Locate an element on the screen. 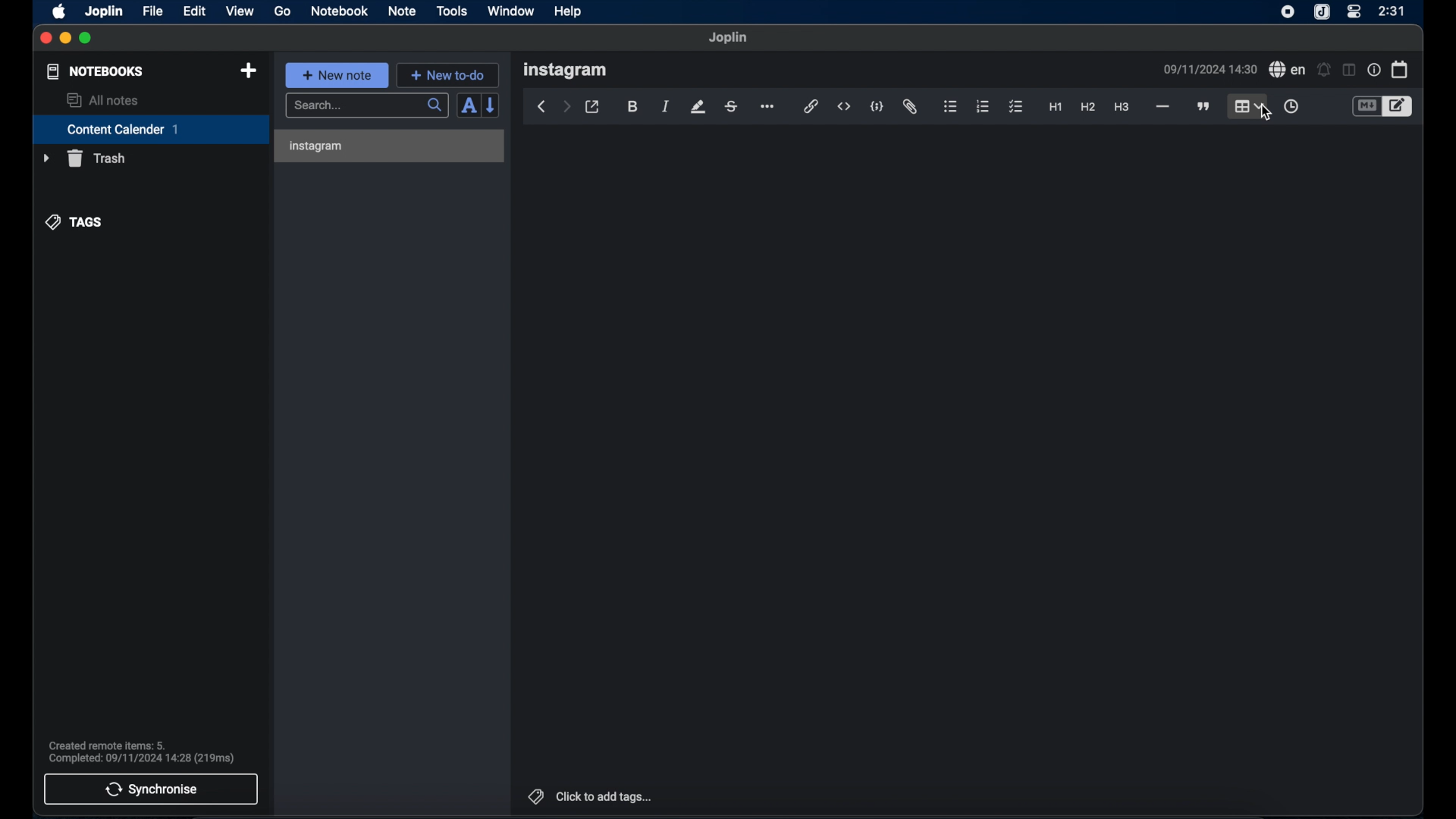  italic is located at coordinates (665, 107).